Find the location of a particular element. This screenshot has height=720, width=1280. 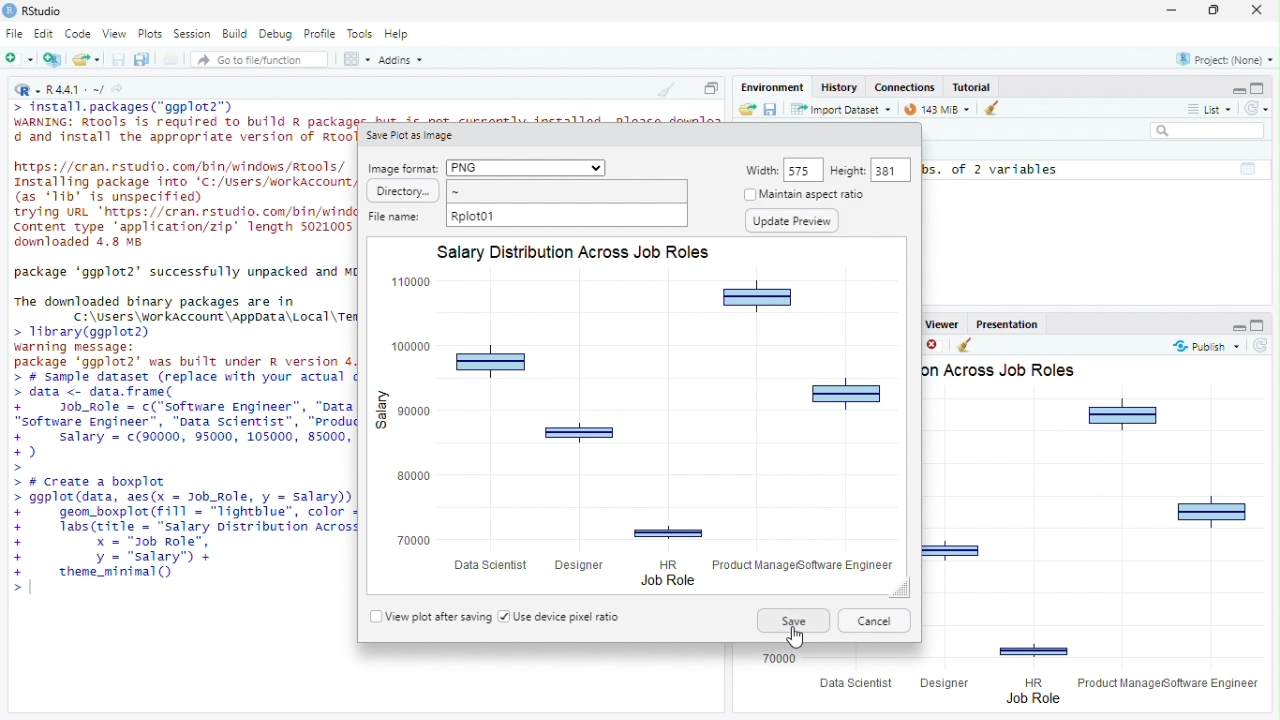

Import dataset is located at coordinates (842, 109).